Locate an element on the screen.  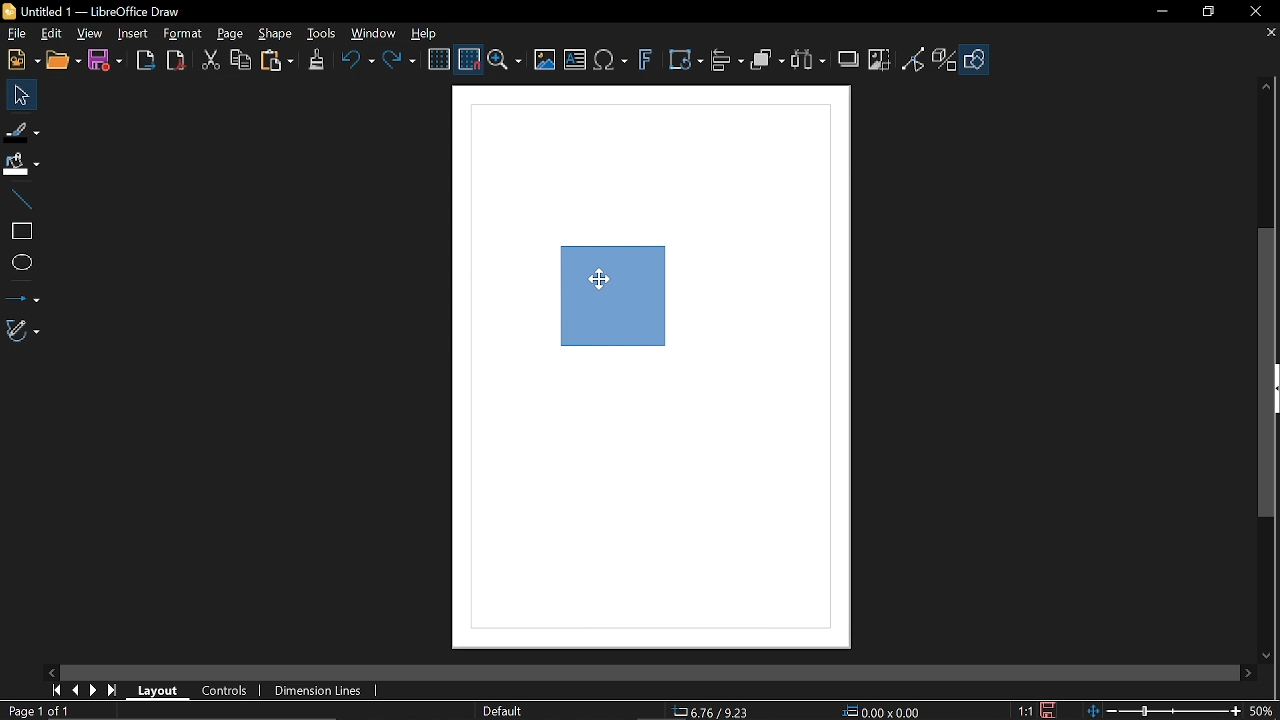
Save is located at coordinates (1046, 710).